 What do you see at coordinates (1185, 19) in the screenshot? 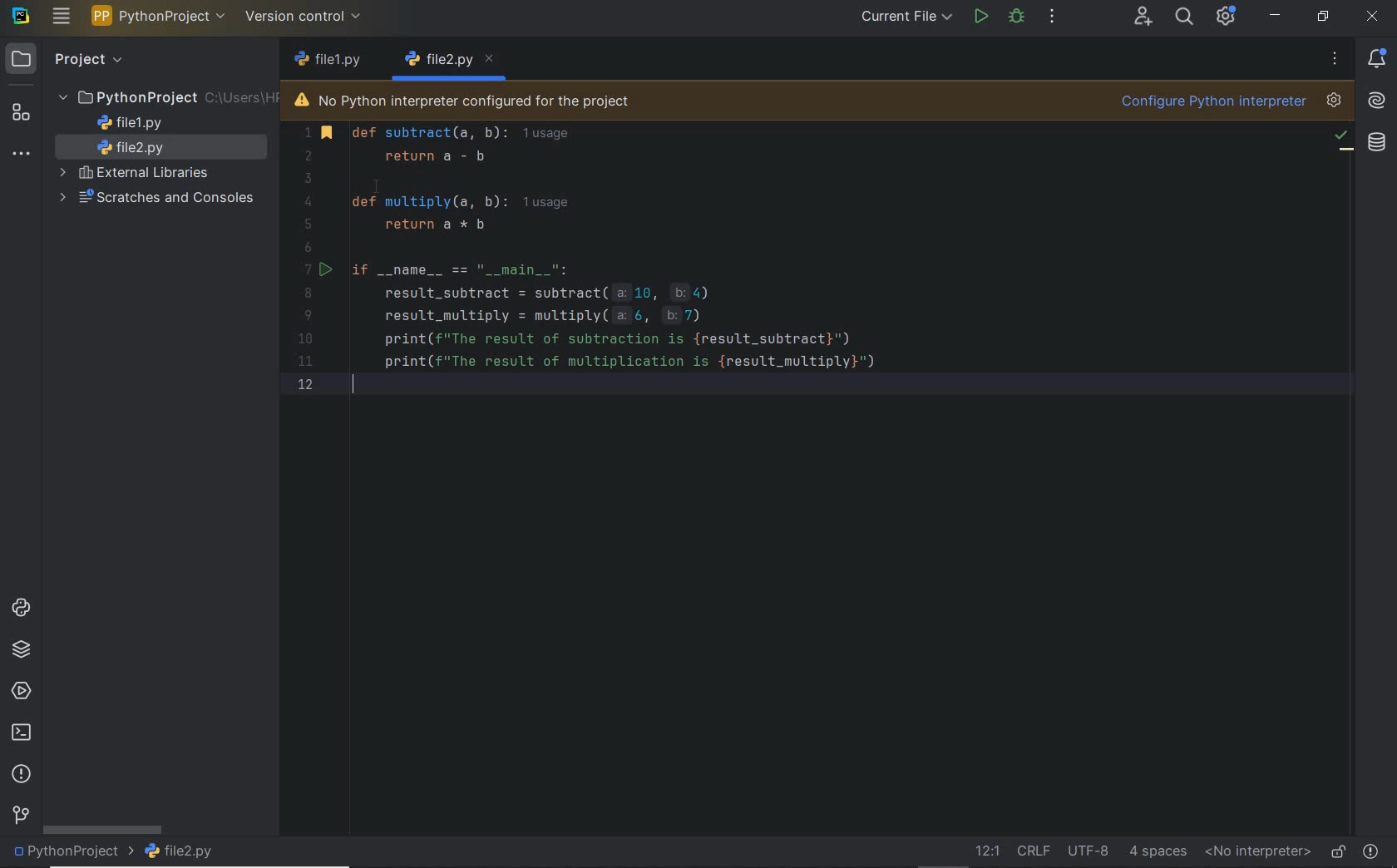
I see `search everywhere` at bounding box center [1185, 19].